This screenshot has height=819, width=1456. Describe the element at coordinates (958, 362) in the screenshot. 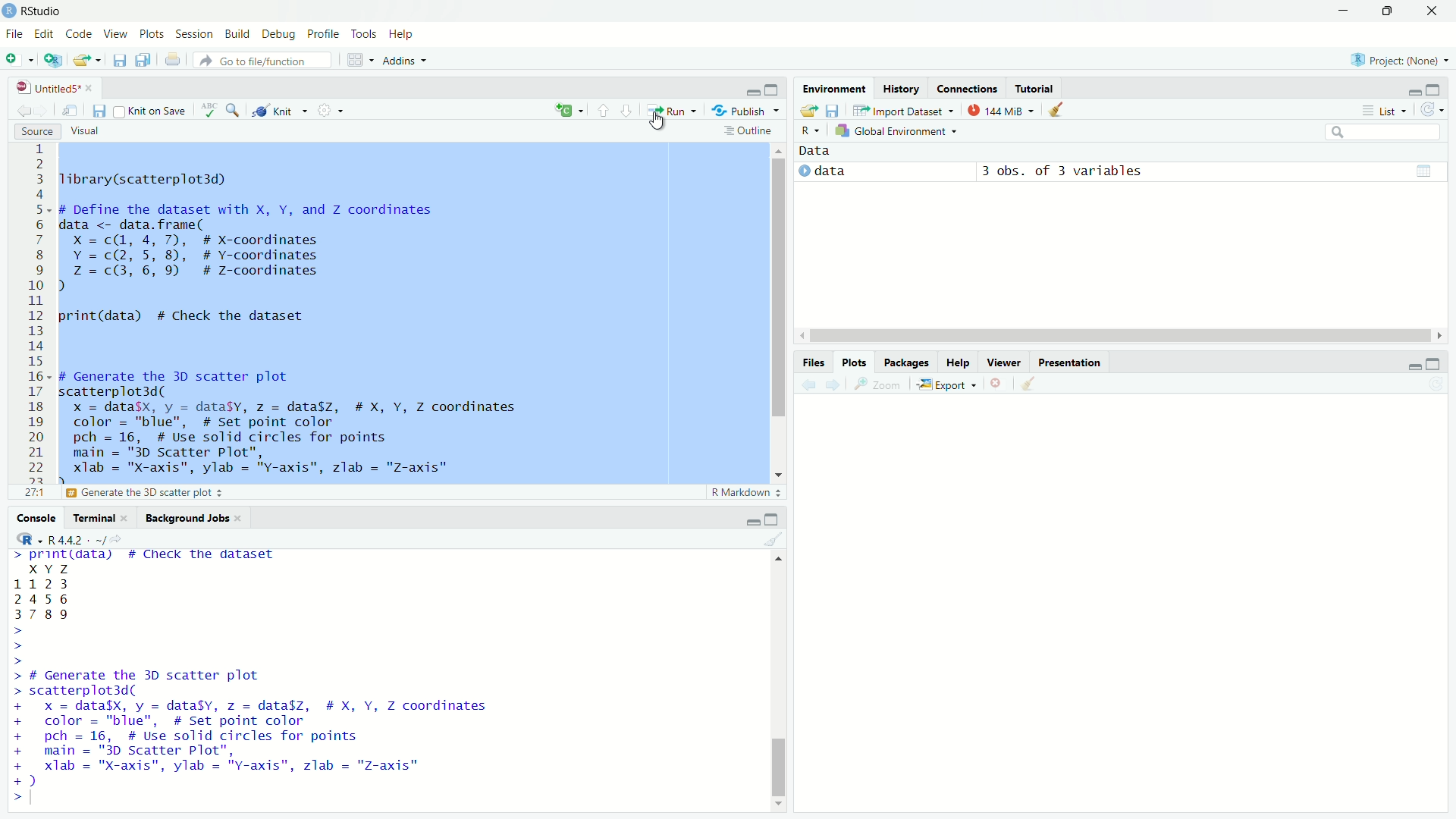

I see `help` at that location.